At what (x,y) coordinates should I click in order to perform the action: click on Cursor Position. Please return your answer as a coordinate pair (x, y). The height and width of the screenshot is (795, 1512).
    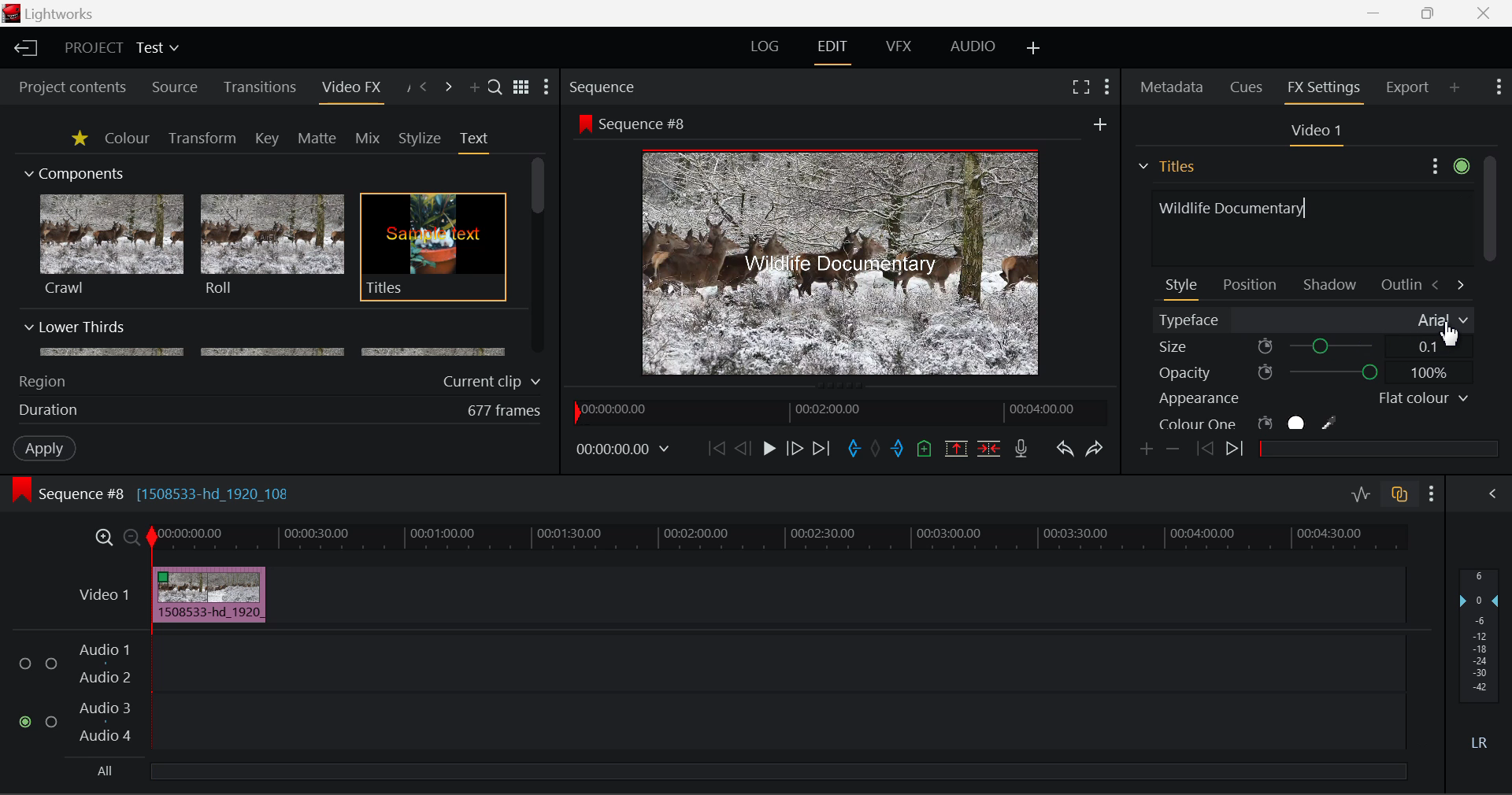
    Looking at the image, I should click on (1450, 333).